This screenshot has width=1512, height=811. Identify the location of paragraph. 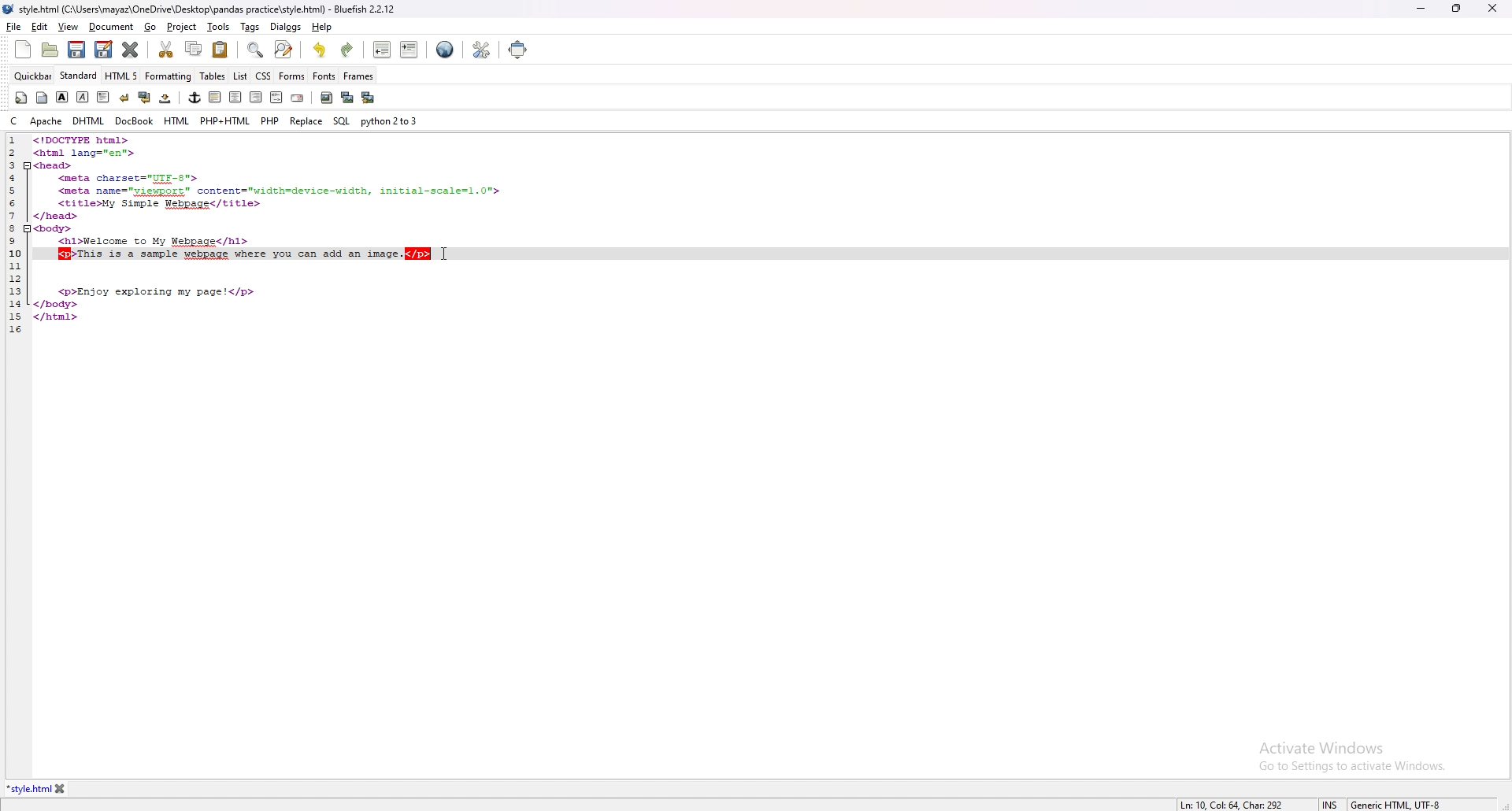
(103, 97).